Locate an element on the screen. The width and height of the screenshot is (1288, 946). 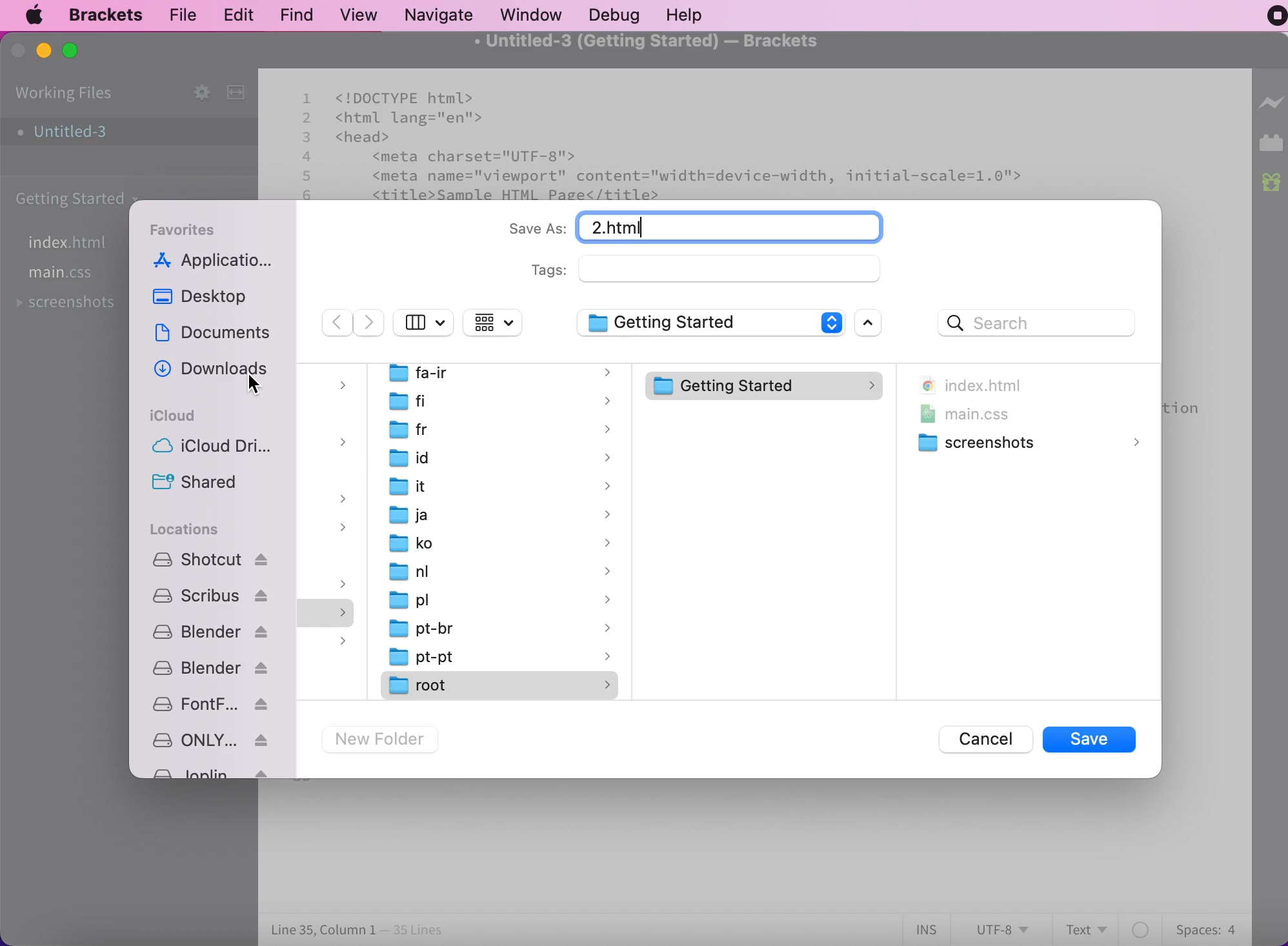
downloads is located at coordinates (219, 373).